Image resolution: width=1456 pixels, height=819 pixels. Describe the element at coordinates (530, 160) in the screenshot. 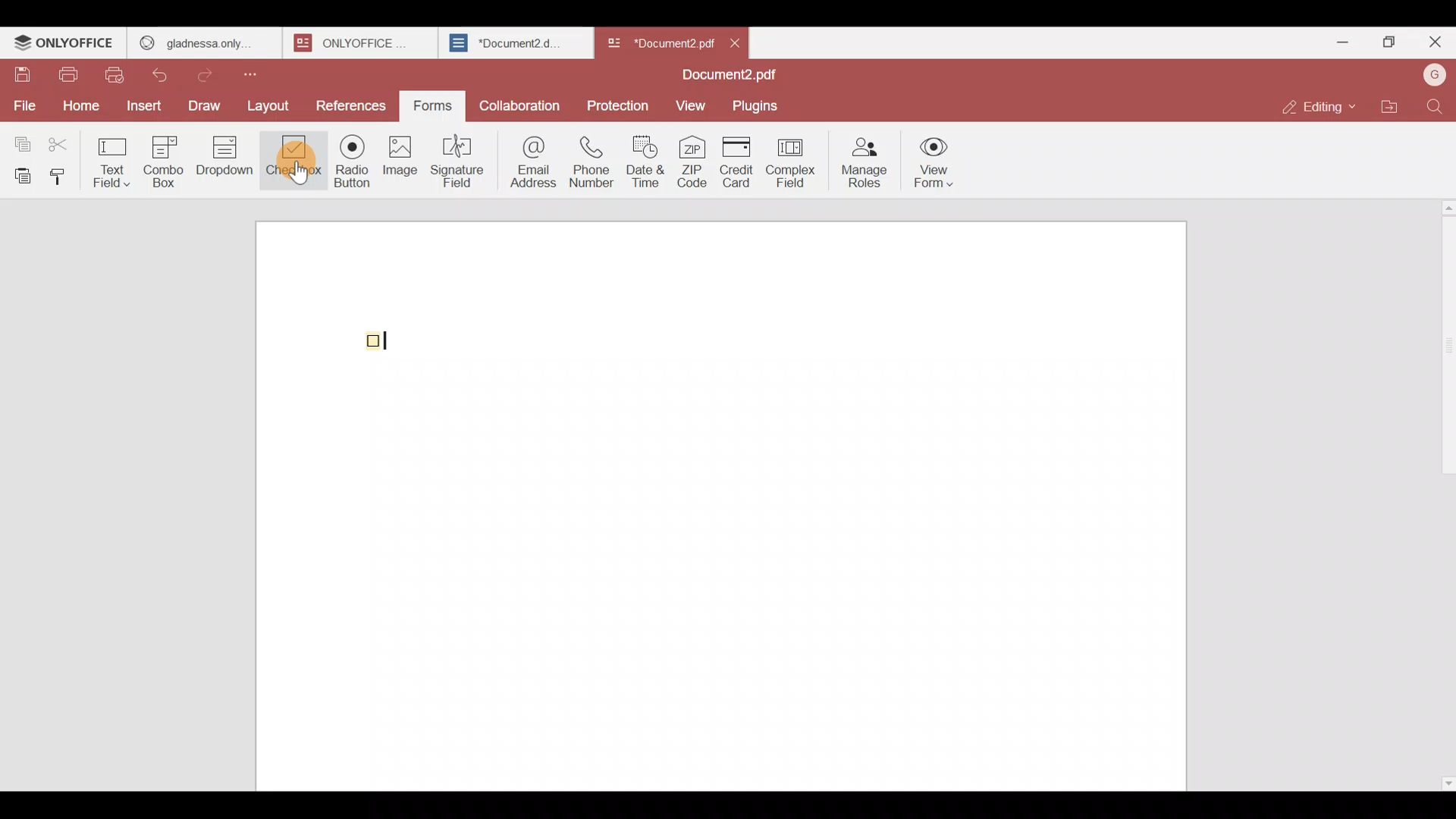

I see `Email address` at that location.